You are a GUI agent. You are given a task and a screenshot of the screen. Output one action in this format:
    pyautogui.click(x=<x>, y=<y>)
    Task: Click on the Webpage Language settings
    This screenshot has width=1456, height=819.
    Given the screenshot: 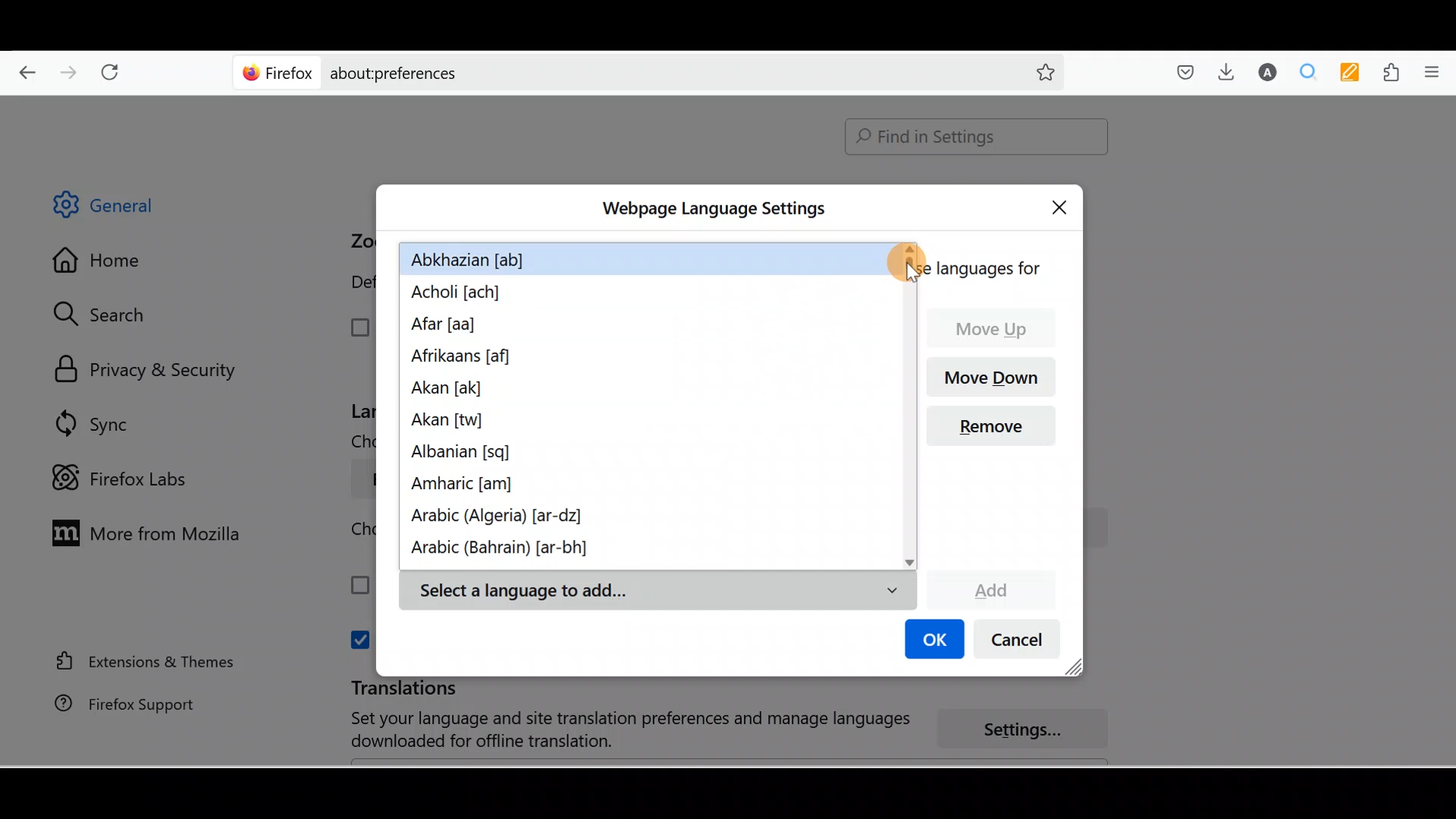 What is the action you would take?
    pyautogui.click(x=711, y=209)
    